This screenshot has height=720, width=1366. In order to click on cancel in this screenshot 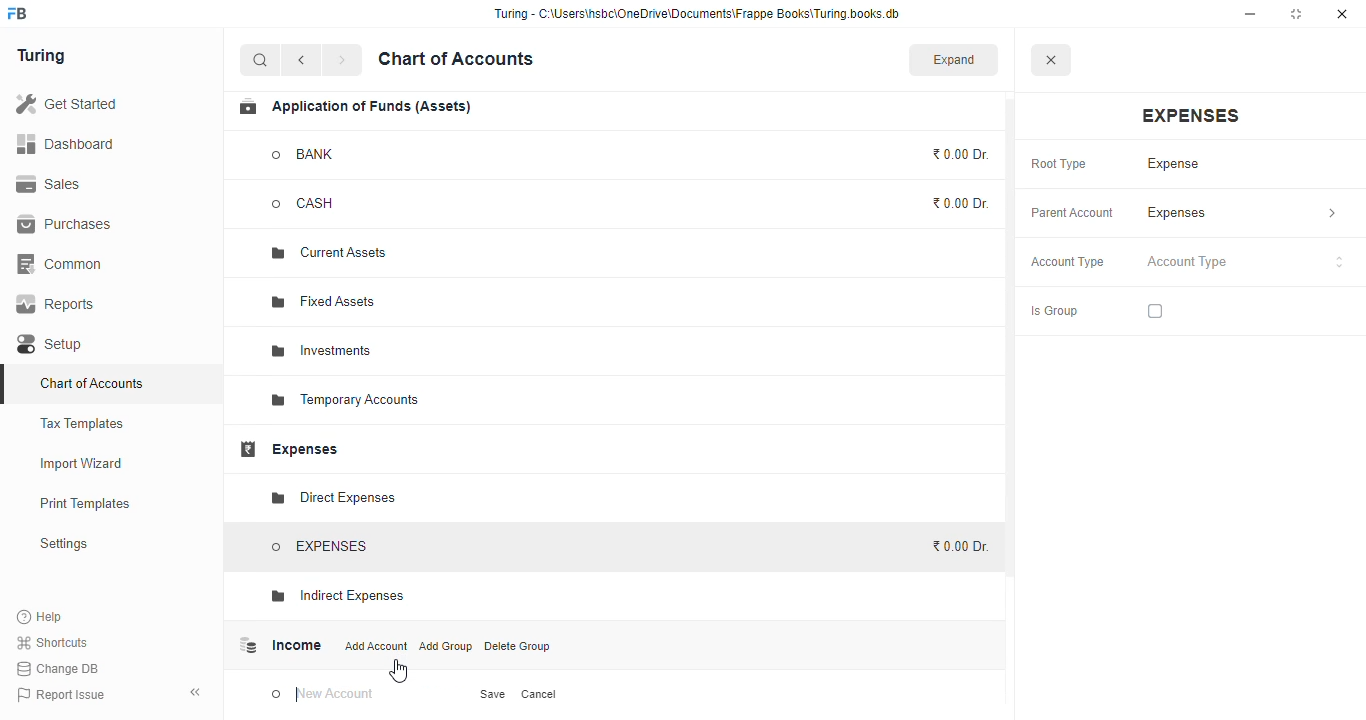, I will do `click(538, 694)`.